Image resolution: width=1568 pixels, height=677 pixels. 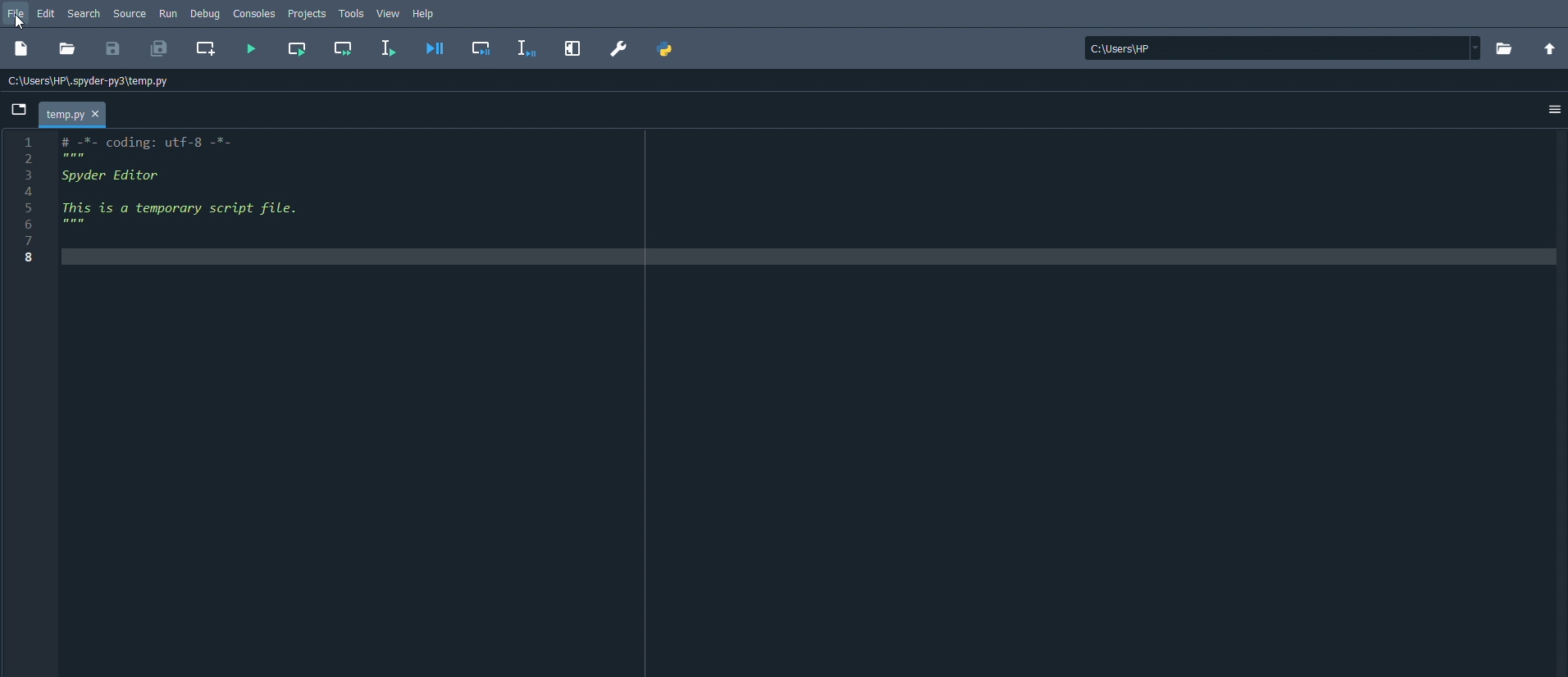 What do you see at coordinates (344, 48) in the screenshot?
I see `Run current cell and go to the next one` at bounding box center [344, 48].